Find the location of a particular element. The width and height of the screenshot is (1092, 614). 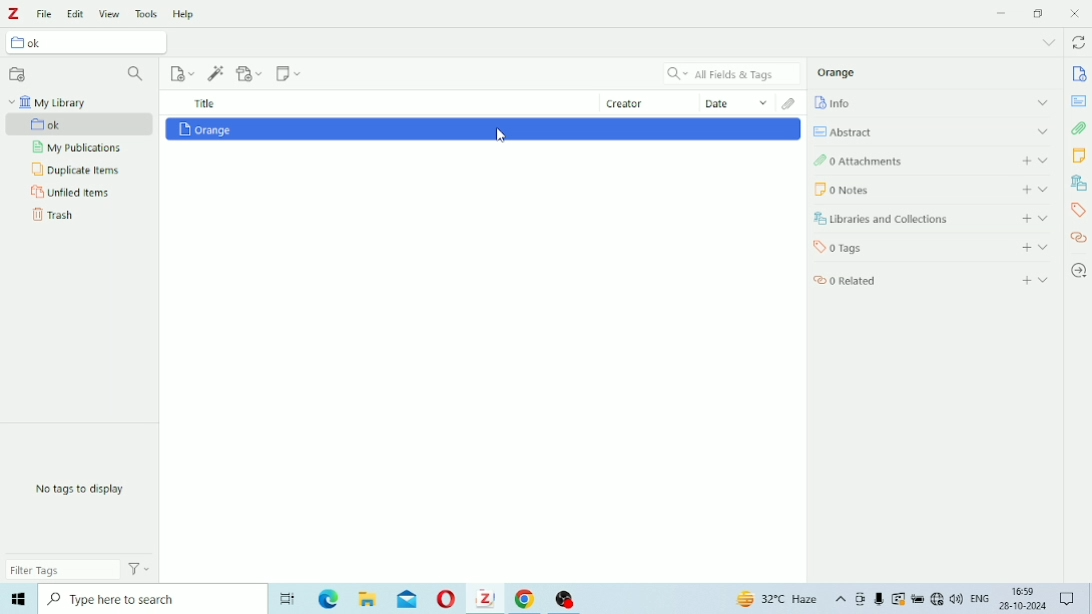

26-10-2024 is located at coordinates (1026, 605).